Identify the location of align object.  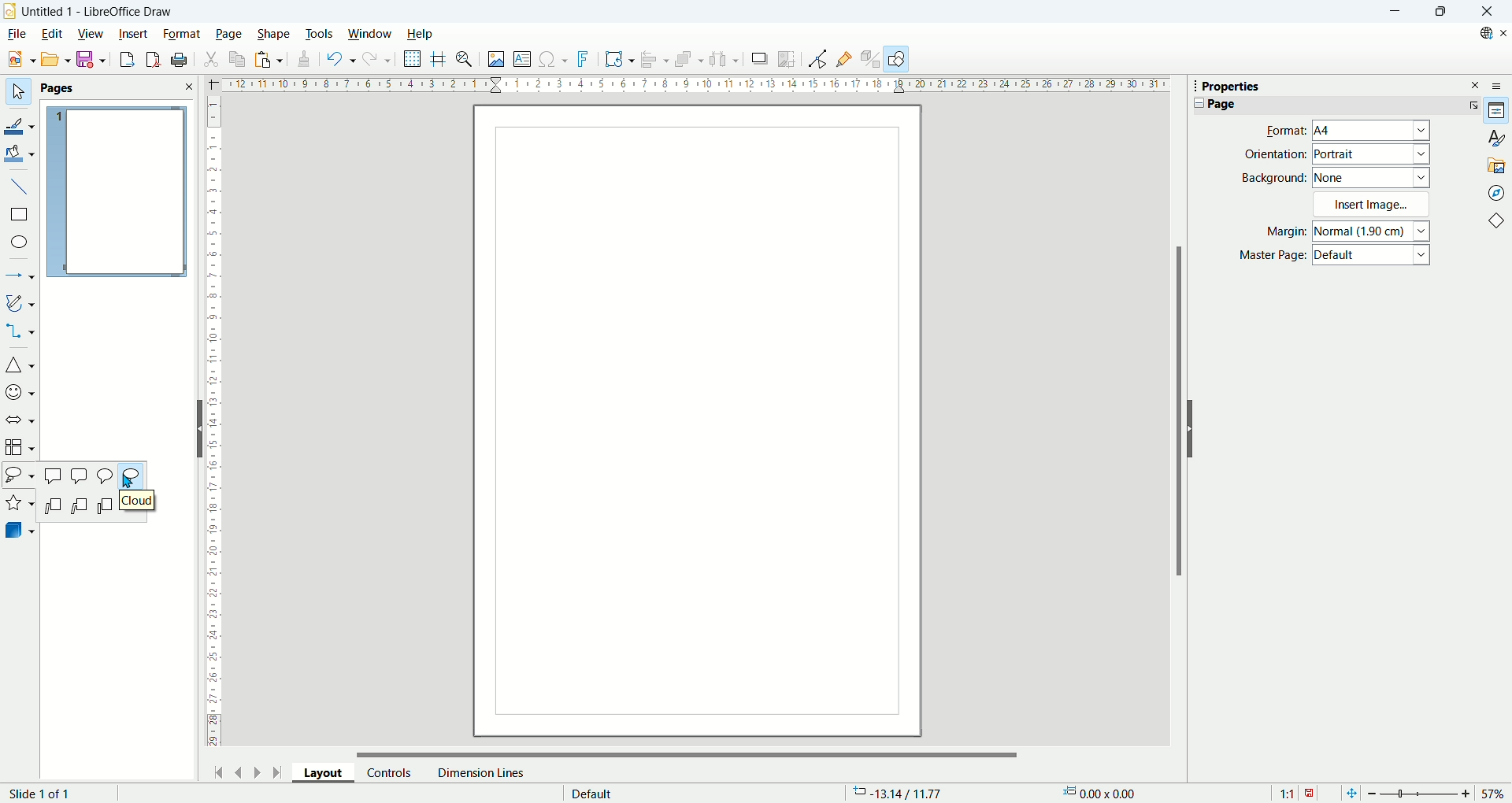
(658, 60).